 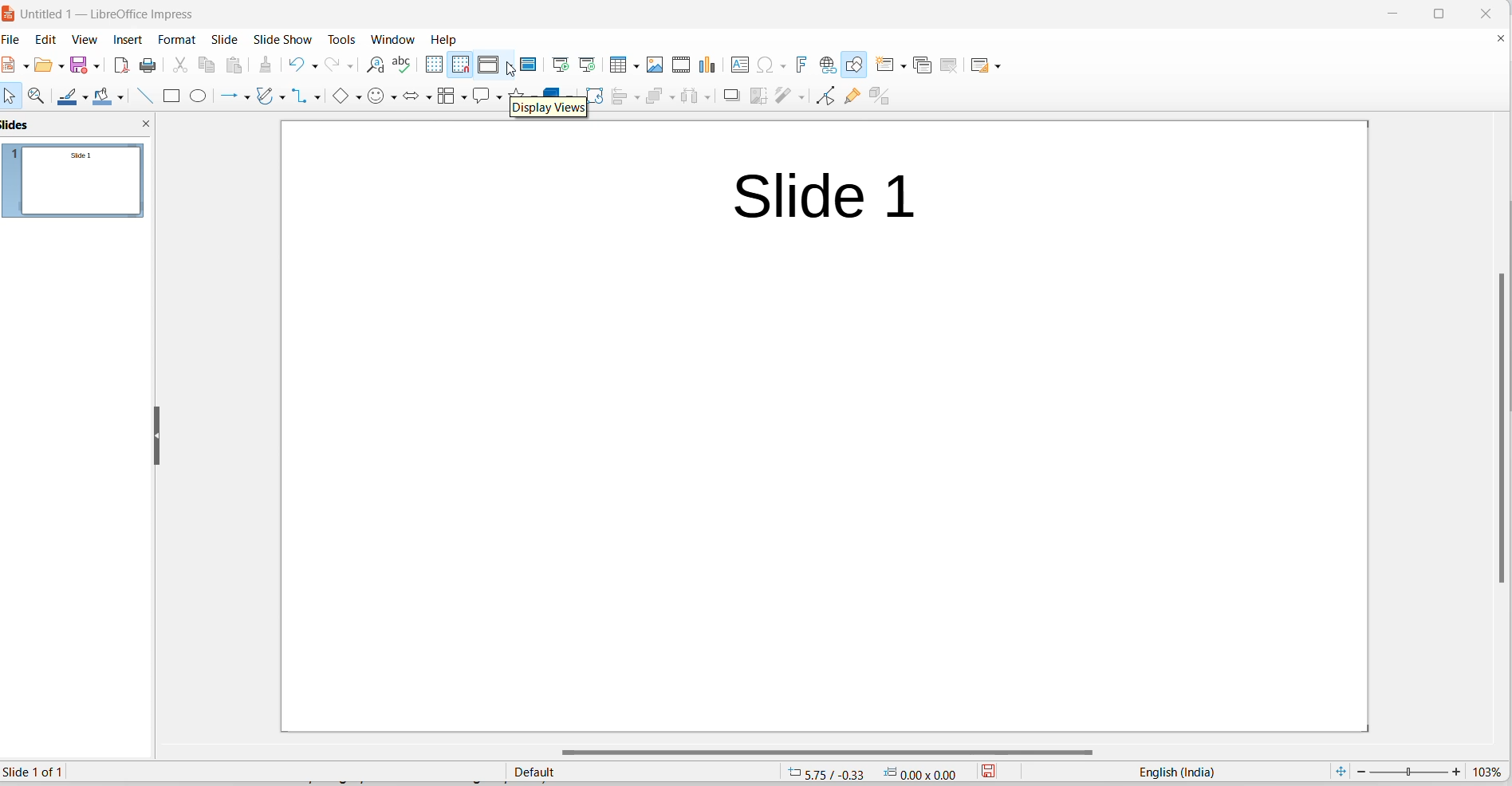 What do you see at coordinates (376, 97) in the screenshot?
I see `symbol shapes` at bounding box center [376, 97].